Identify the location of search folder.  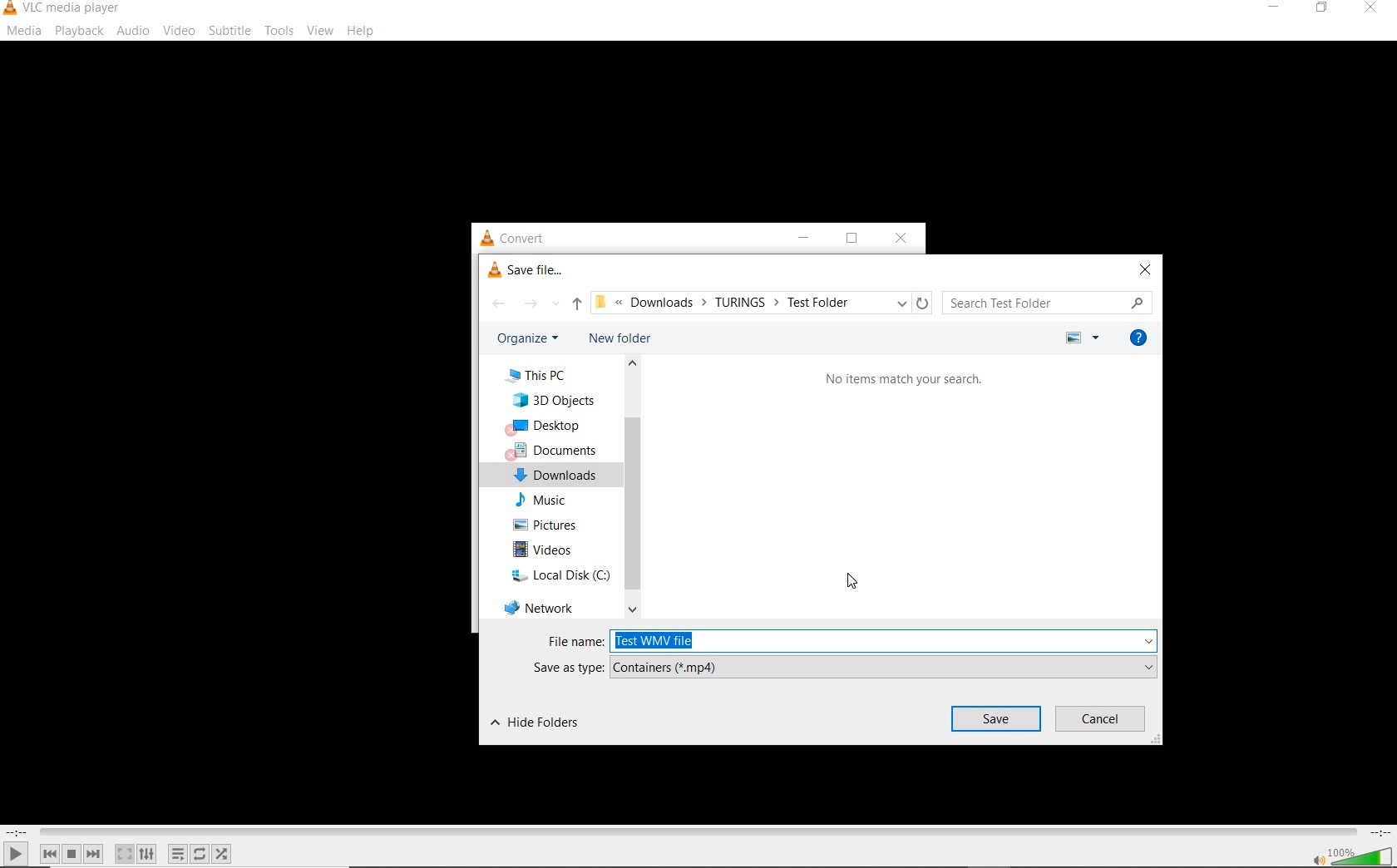
(1049, 302).